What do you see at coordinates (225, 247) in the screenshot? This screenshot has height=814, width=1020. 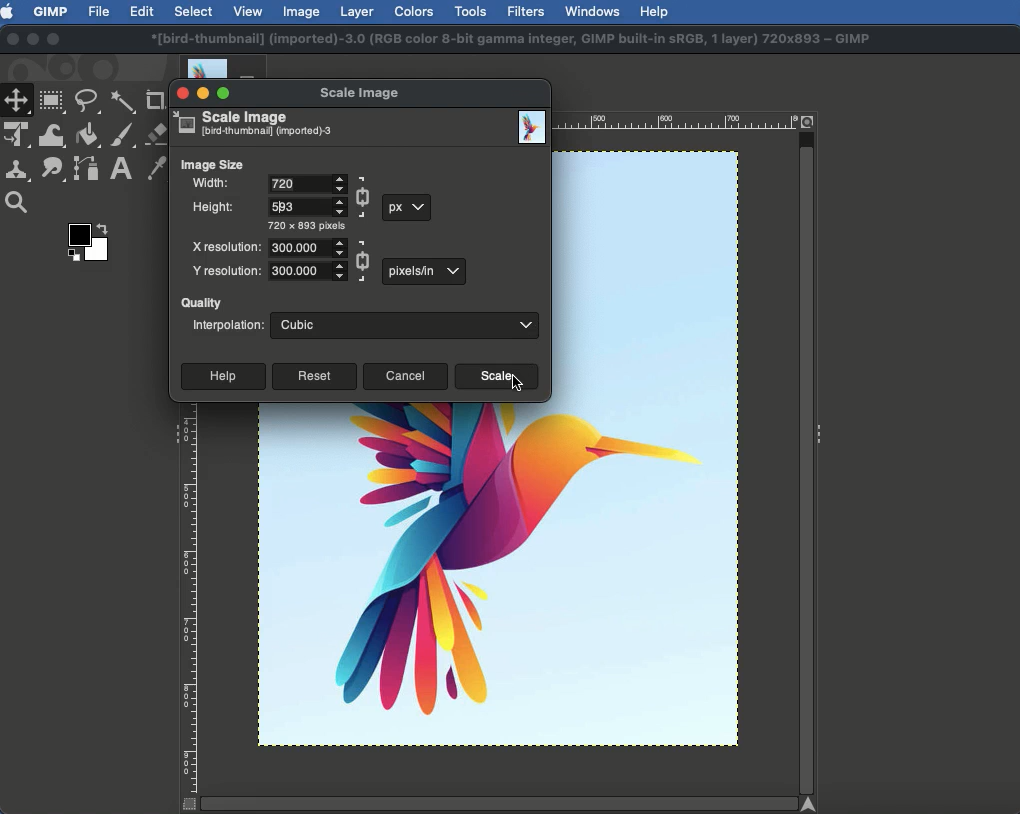 I see `X resolution` at bounding box center [225, 247].